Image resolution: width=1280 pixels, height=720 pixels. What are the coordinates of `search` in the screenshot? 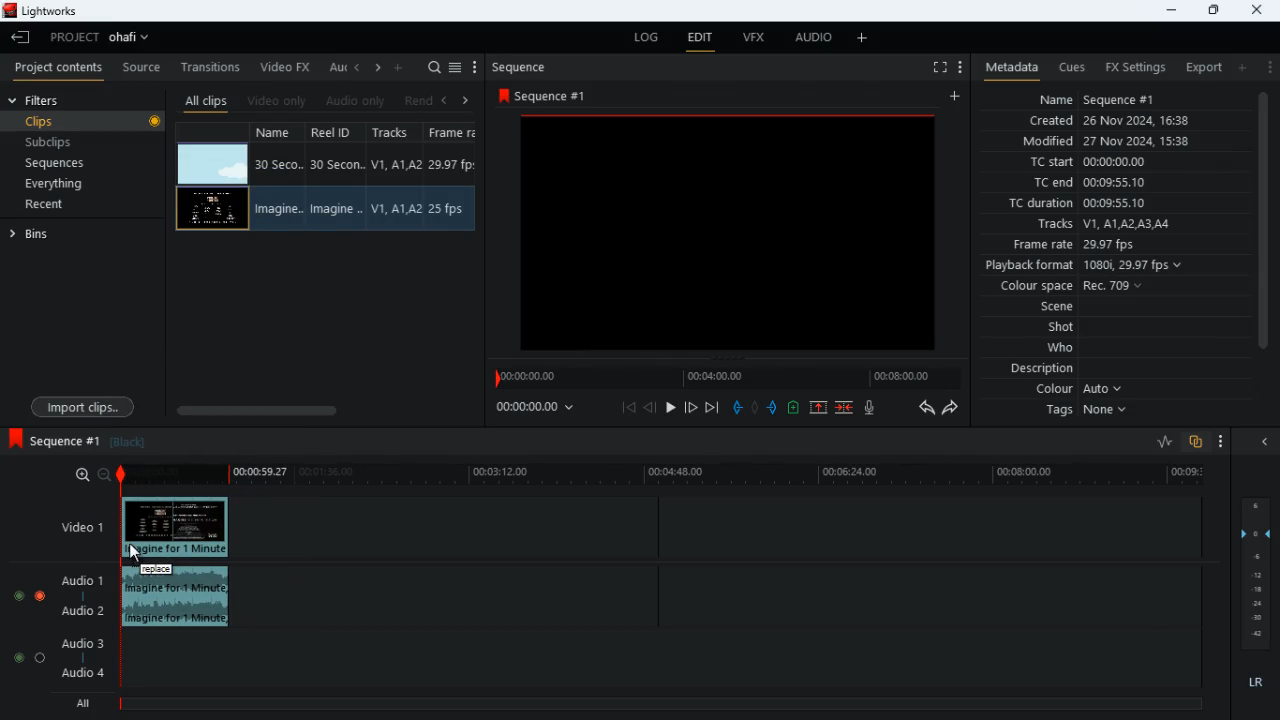 It's located at (435, 65).